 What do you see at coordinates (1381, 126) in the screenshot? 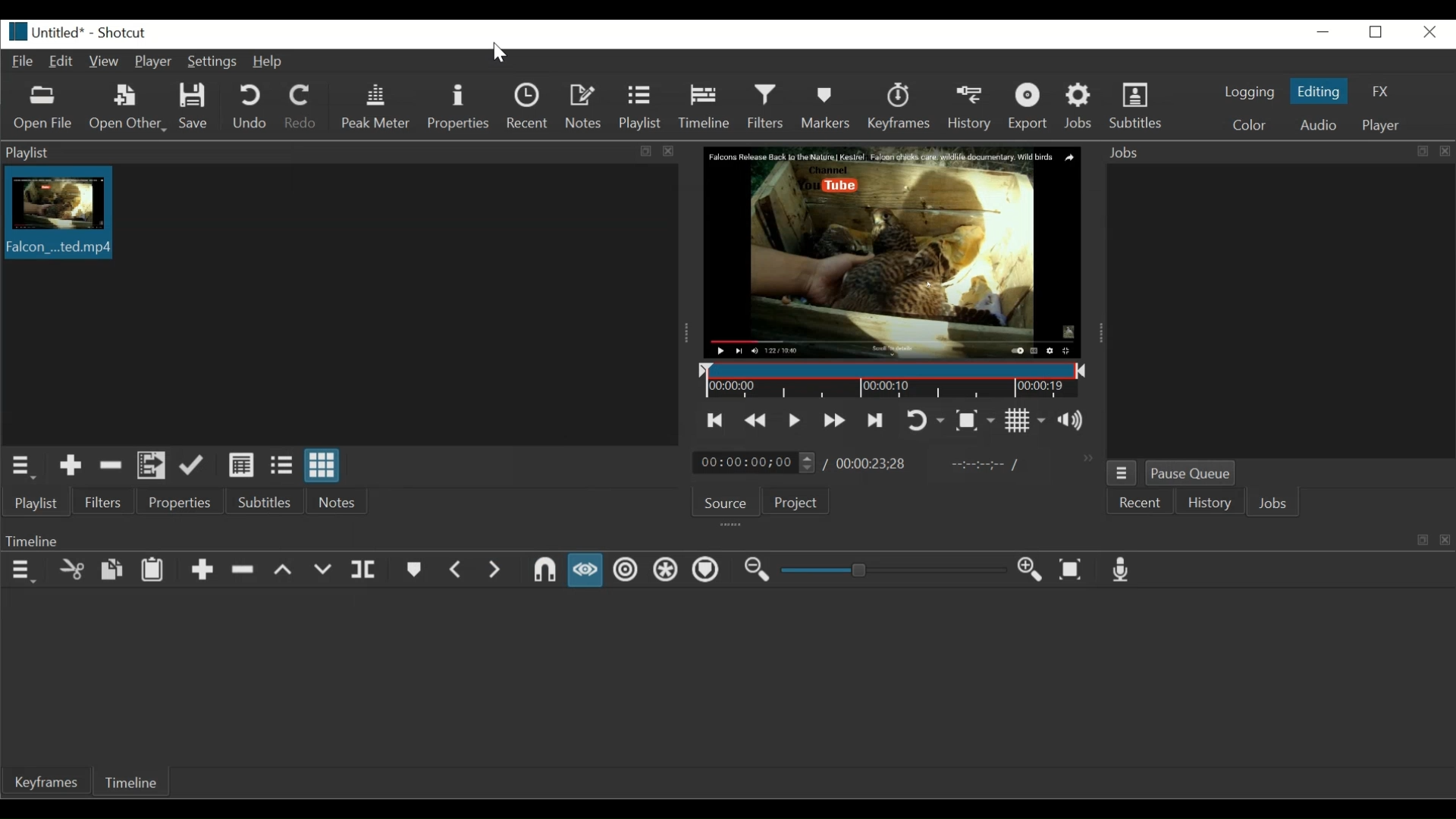
I see `Player` at bounding box center [1381, 126].